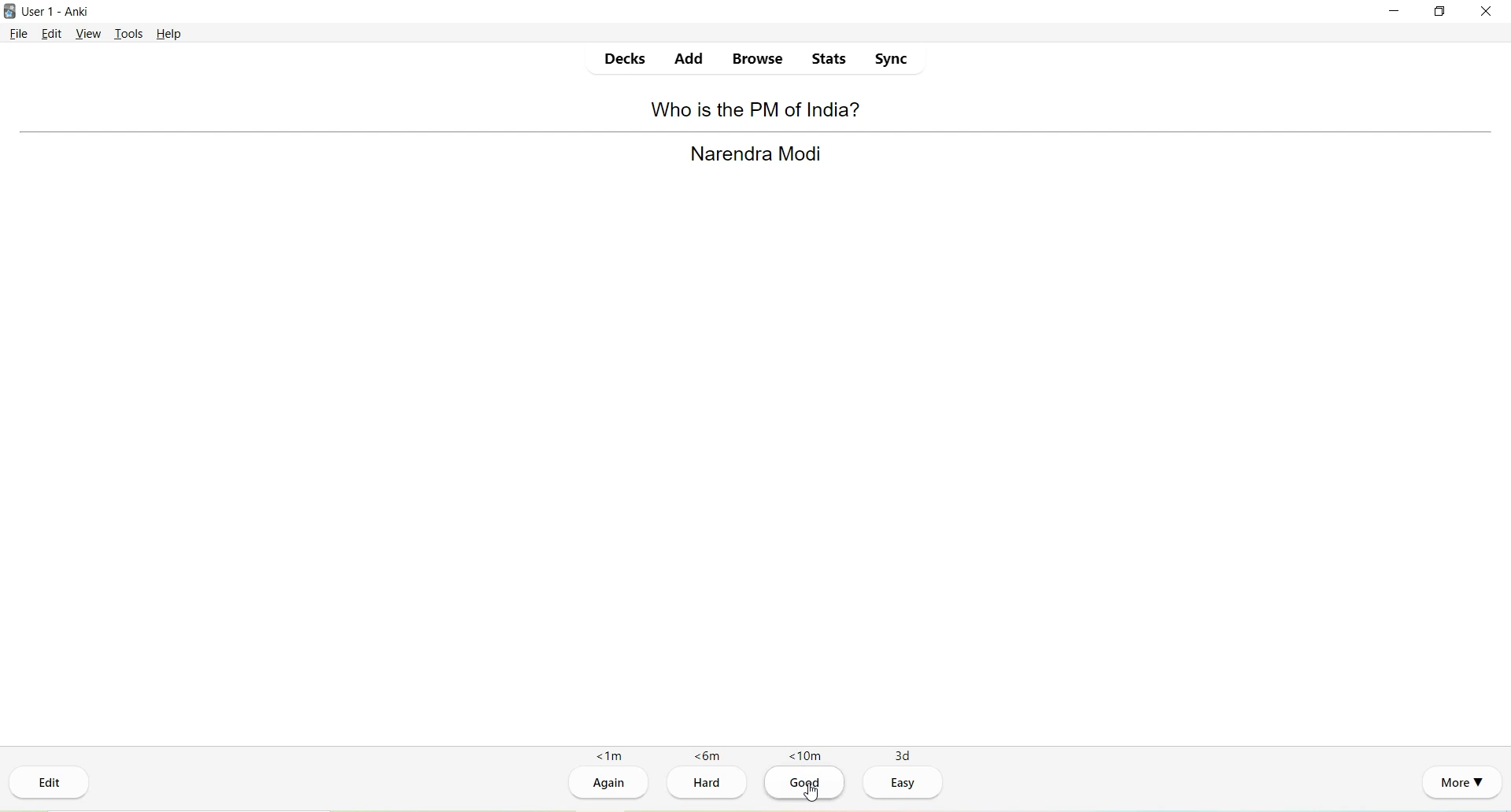  Describe the element at coordinates (128, 35) in the screenshot. I see `Tools` at that location.